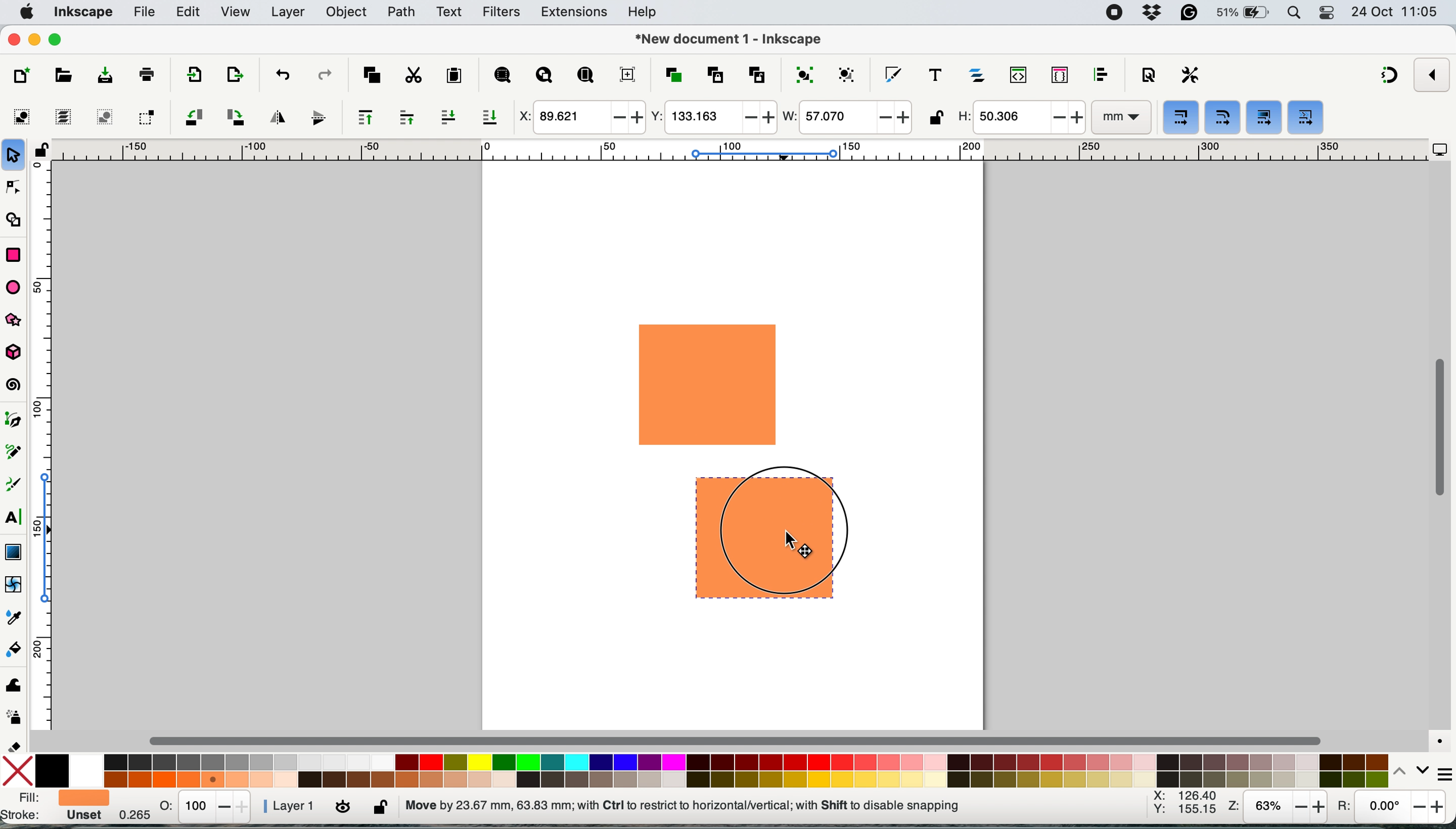 The image size is (1456, 829). What do you see at coordinates (34, 38) in the screenshot?
I see `minimise` at bounding box center [34, 38].